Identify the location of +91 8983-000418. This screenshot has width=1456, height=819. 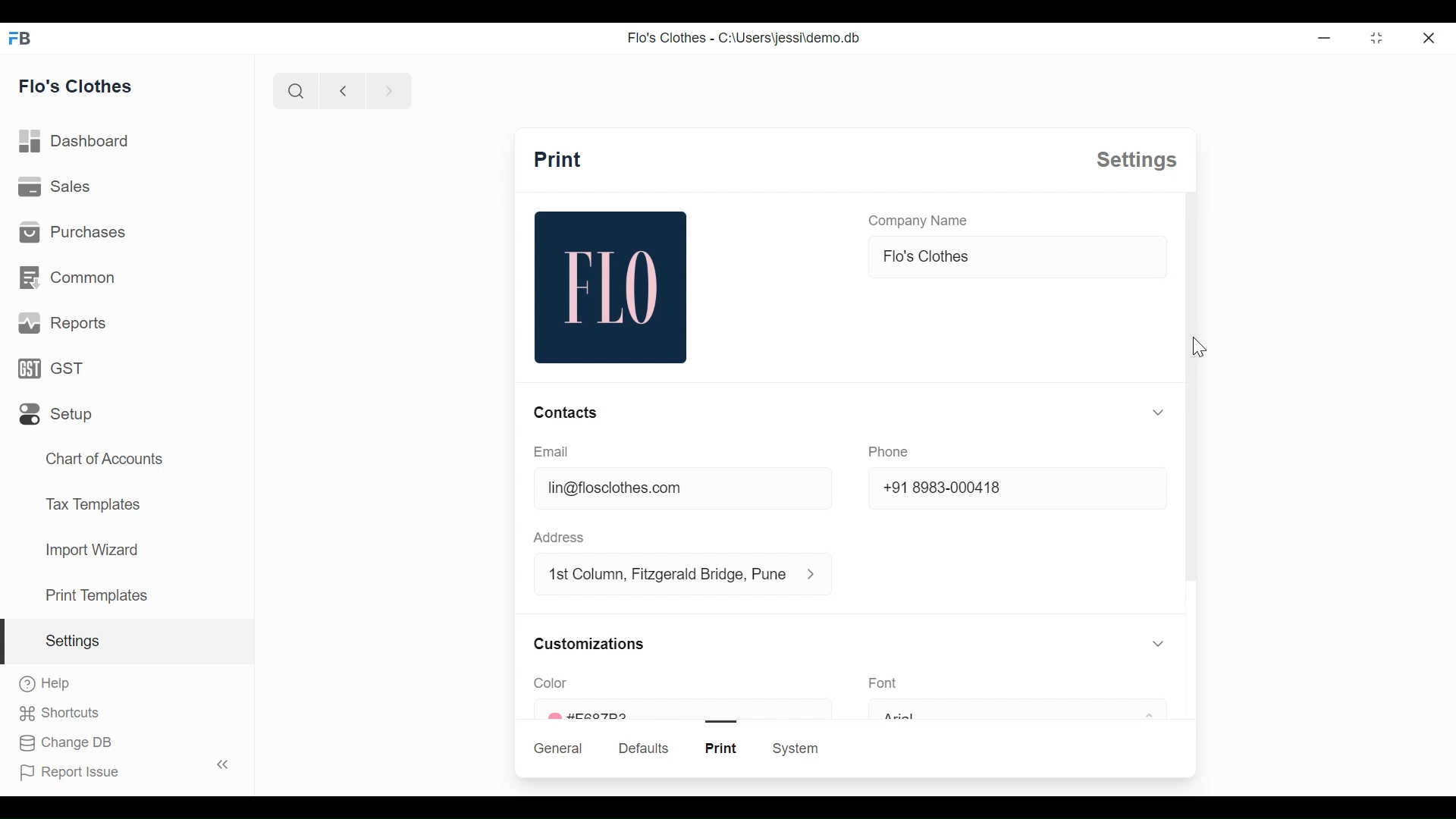
(1018, 488).